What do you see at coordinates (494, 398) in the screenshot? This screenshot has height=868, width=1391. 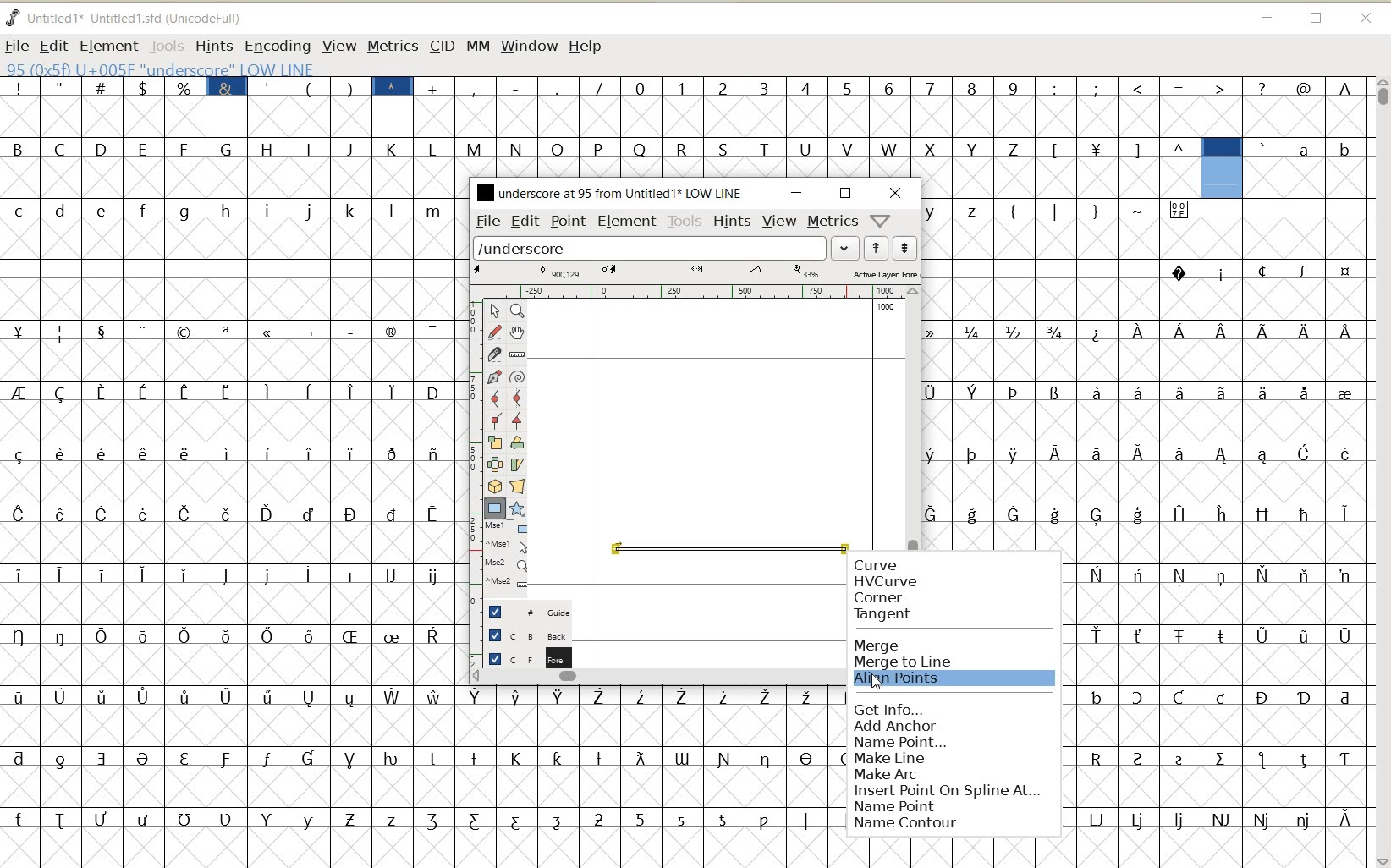 I see `add a curve point` at bounding box center [494, 398].